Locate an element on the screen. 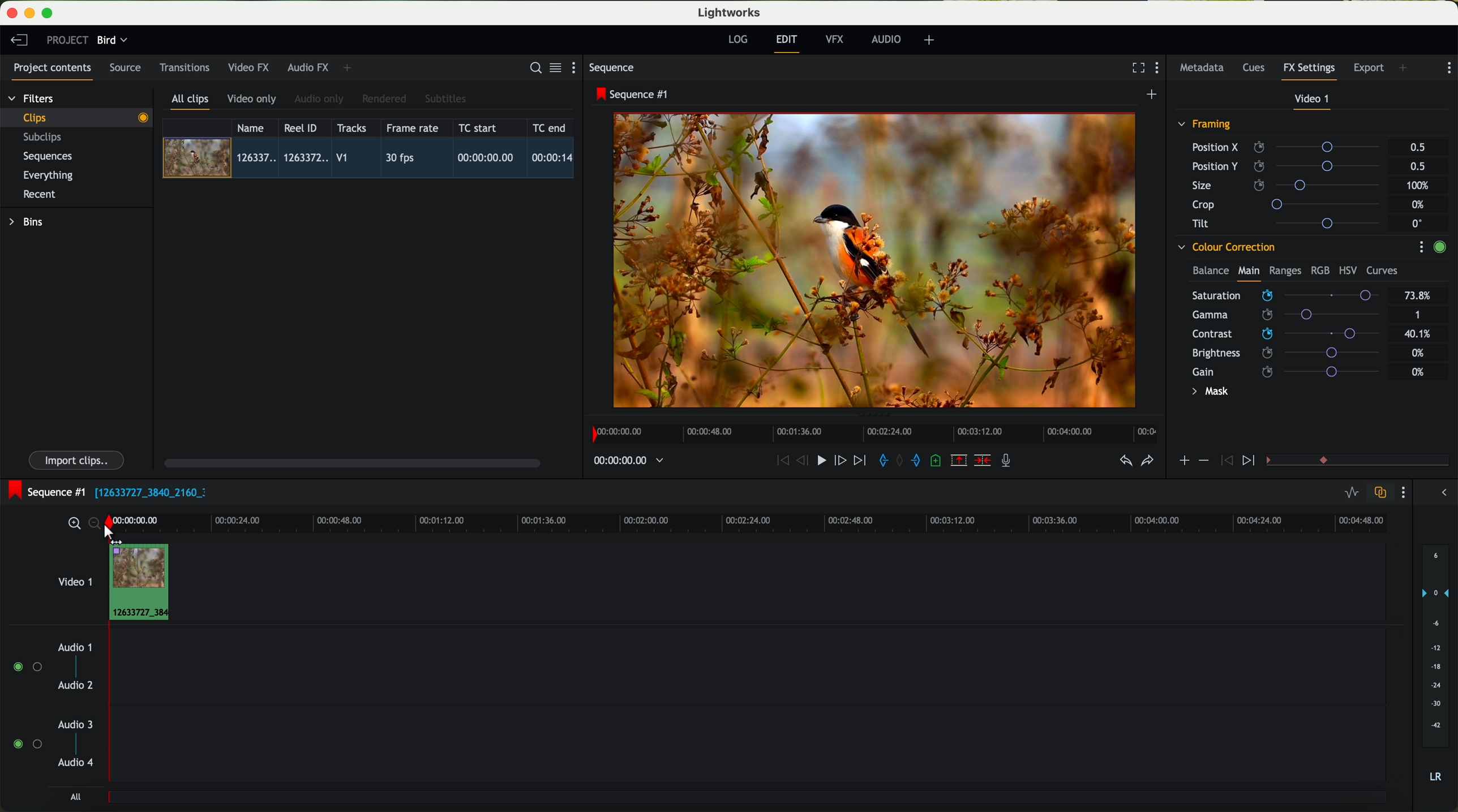 This screenshot has width=1458, height=812. tilt is located at coordinates (1291, 223).